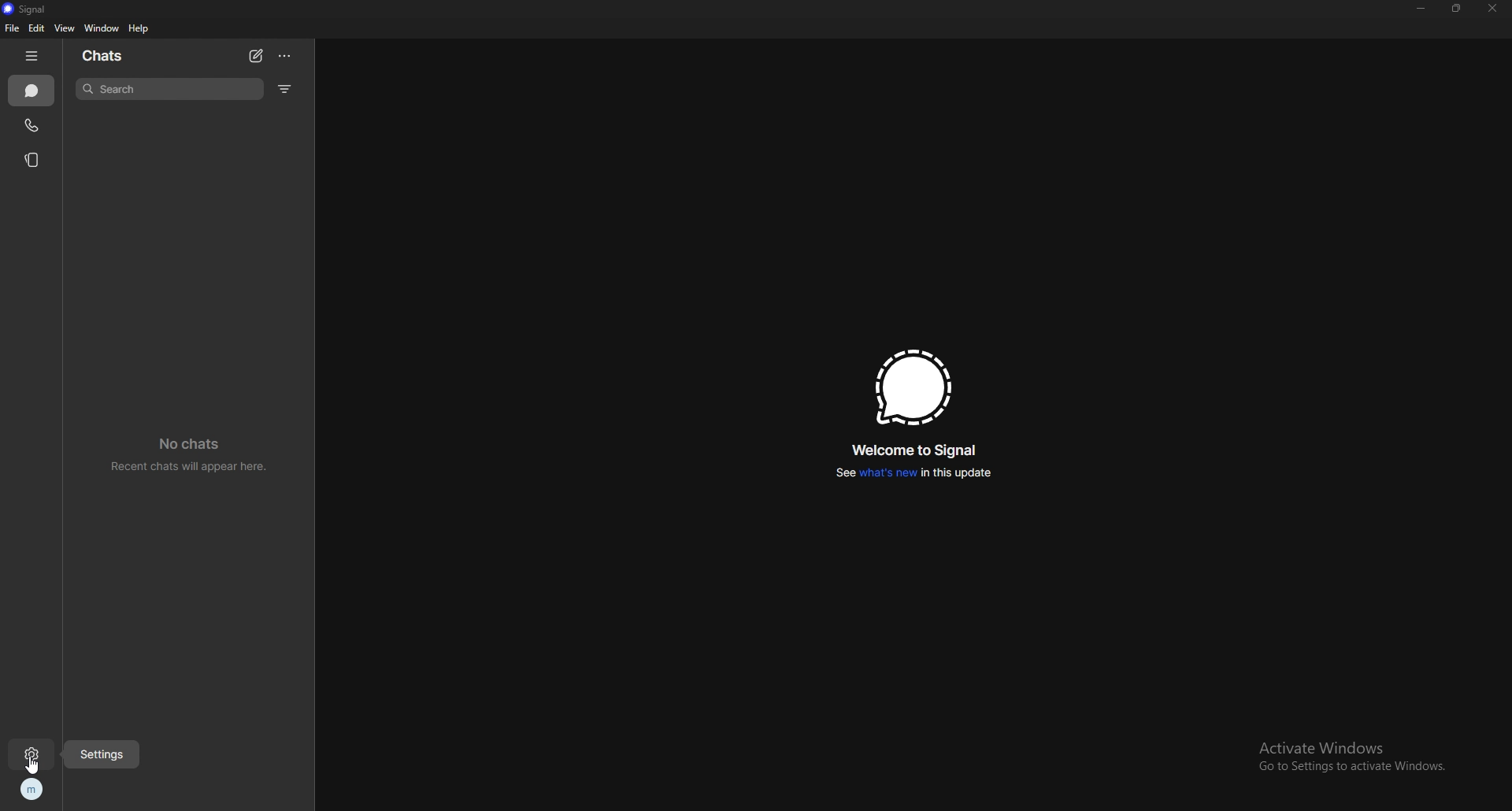  I want to click on new chat, so click(256, 57).